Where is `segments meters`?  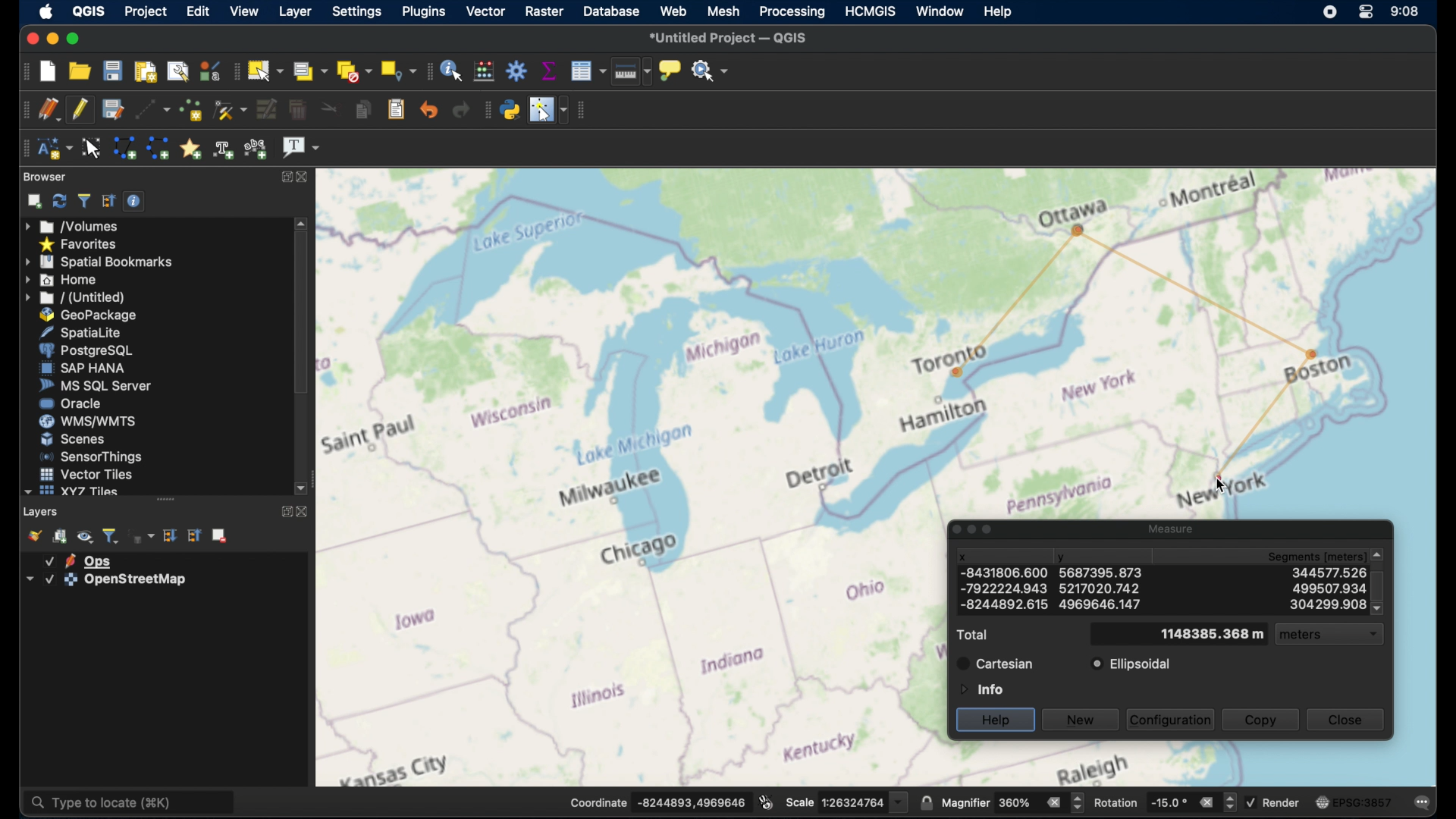 segments meters is located at coordinates (1330, 554).